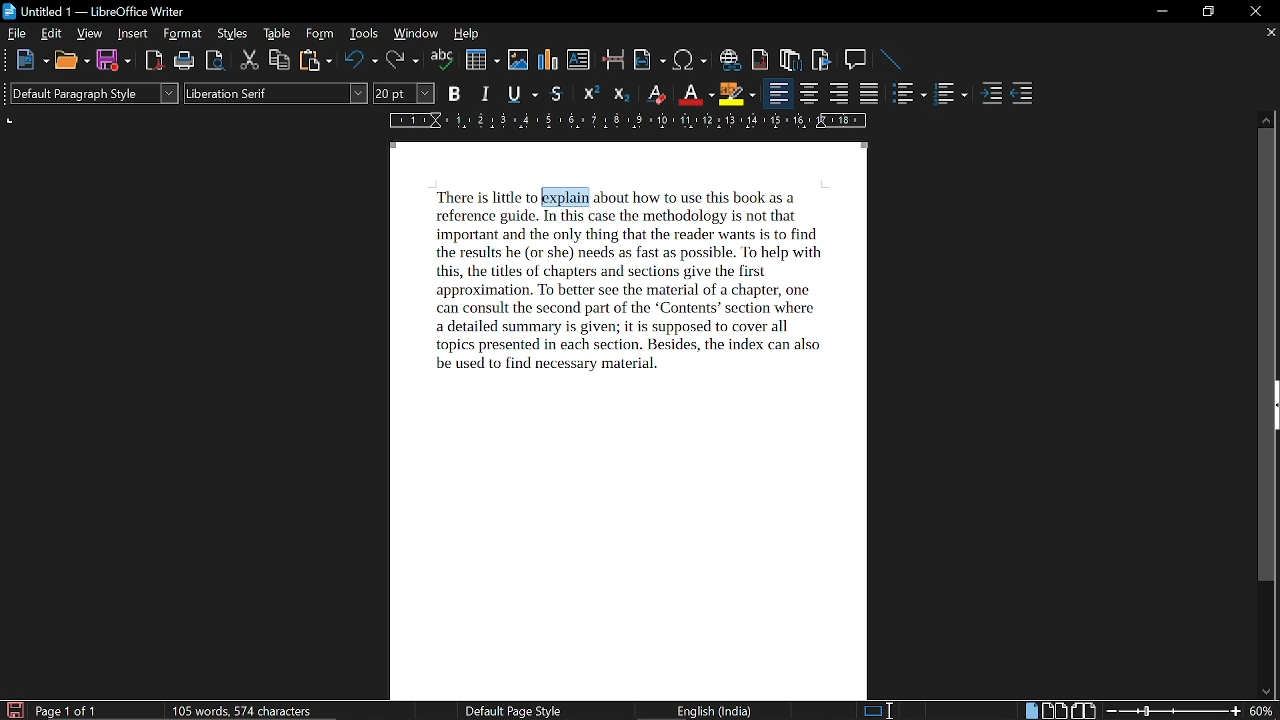  What do you see at coordinates (1266, 693) in the screenshot?
I see `move down` at bounding box center [1266, 693].